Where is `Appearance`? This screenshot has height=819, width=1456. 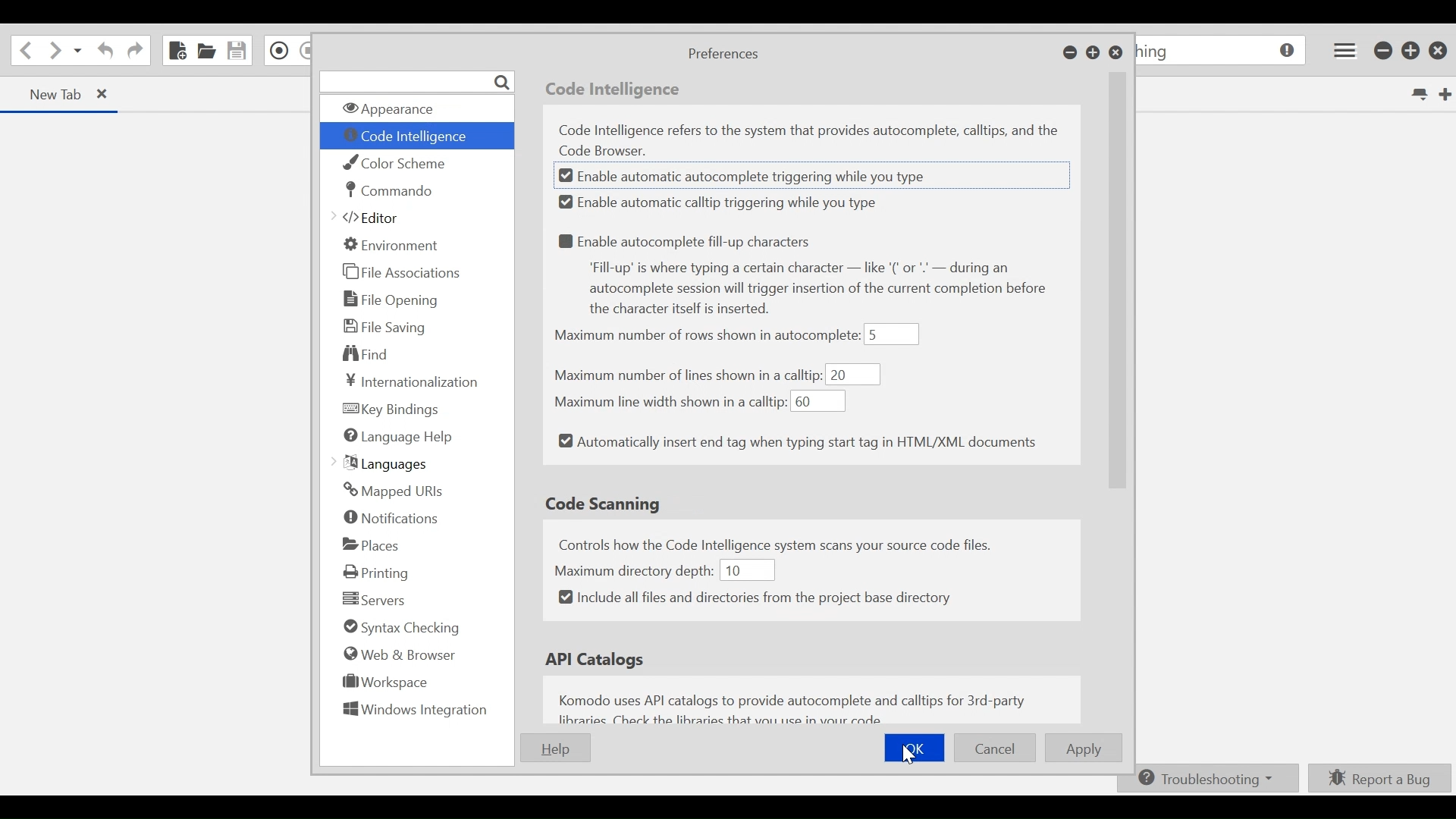
Appearance is located at coordinates (413, 109).